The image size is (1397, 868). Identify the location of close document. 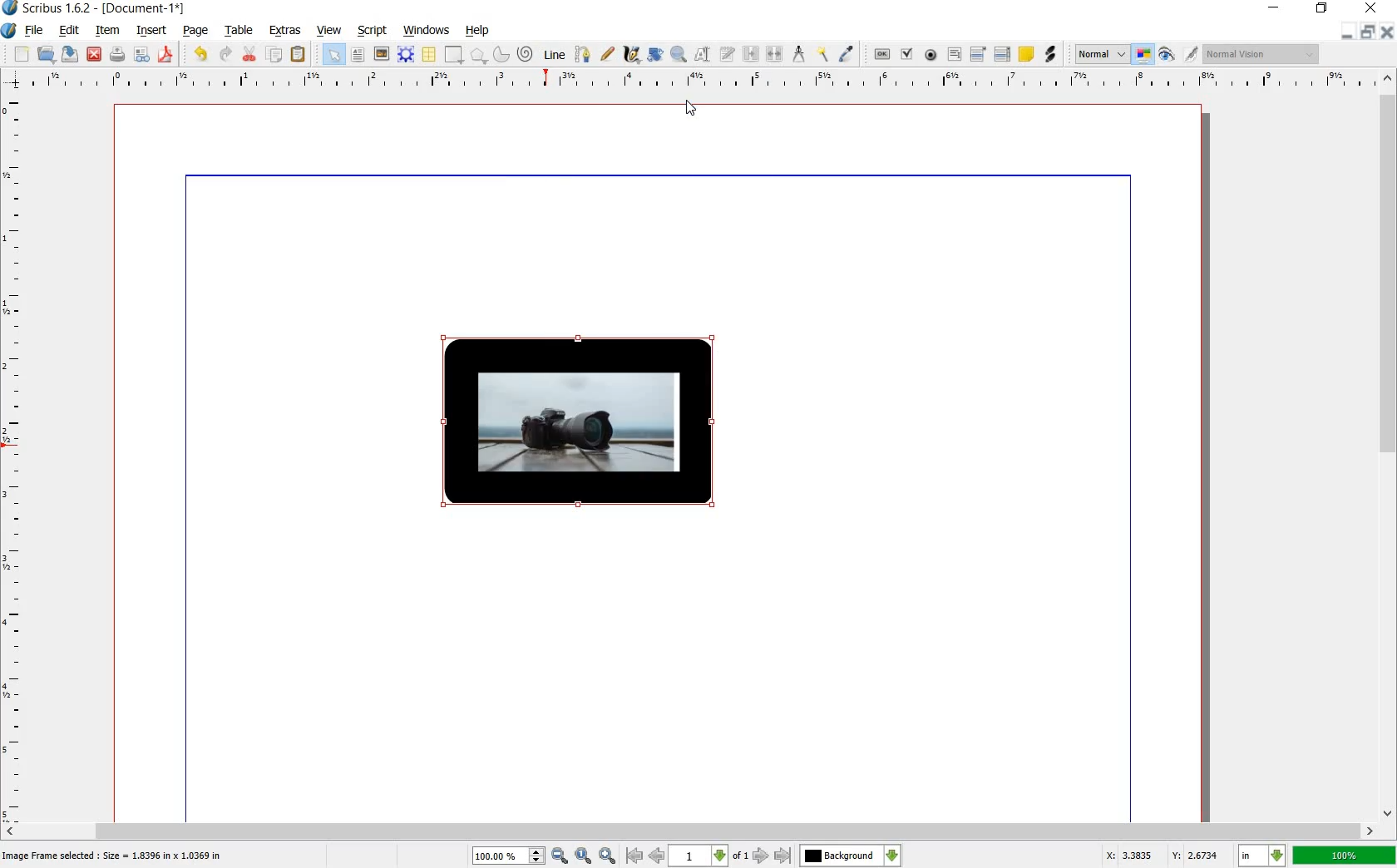
(1389, 30).